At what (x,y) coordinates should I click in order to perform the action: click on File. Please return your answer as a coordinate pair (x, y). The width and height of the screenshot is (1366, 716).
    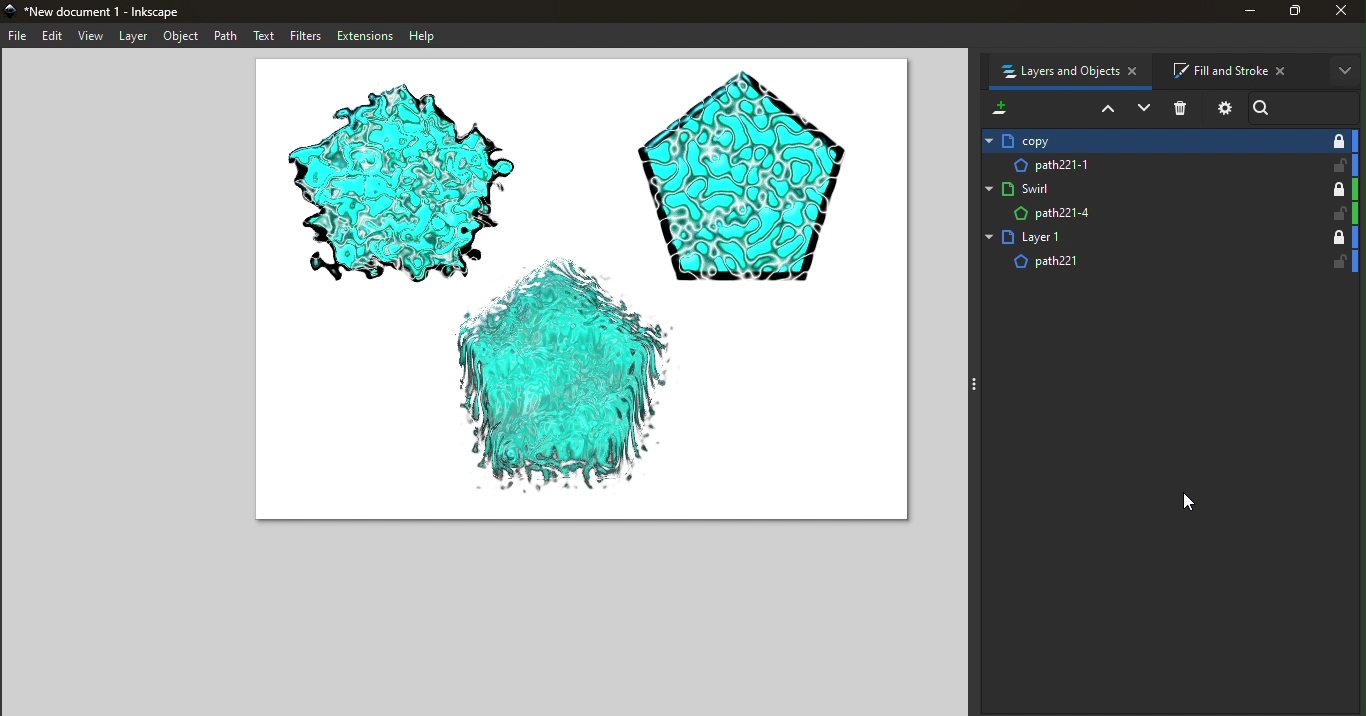
    Looking at the image, I should click on (20, 35).